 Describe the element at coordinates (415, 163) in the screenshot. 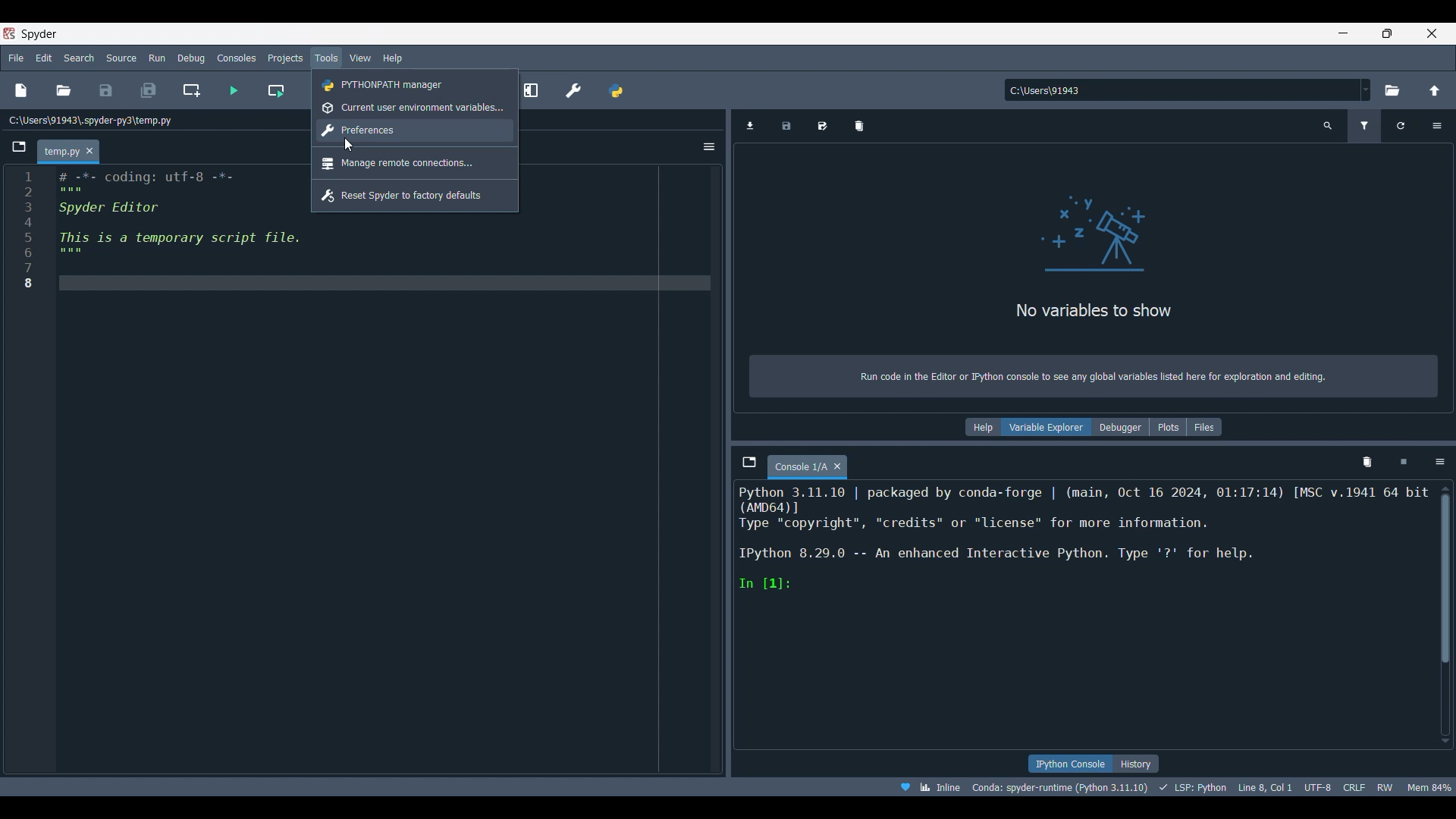

I see `Manage remote connections` at that location.